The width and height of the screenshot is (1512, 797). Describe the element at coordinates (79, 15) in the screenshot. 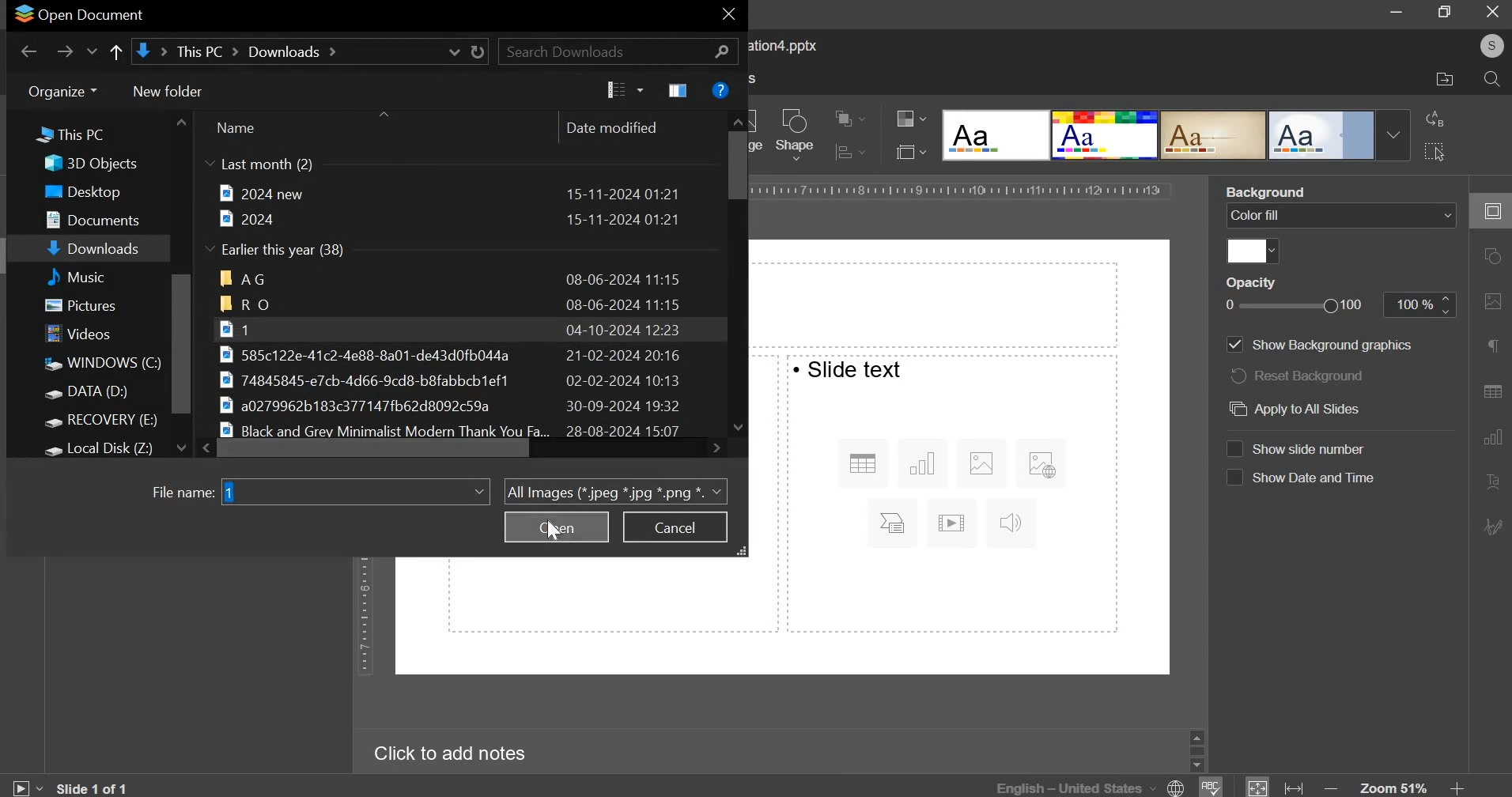

I see `open document` at that location.